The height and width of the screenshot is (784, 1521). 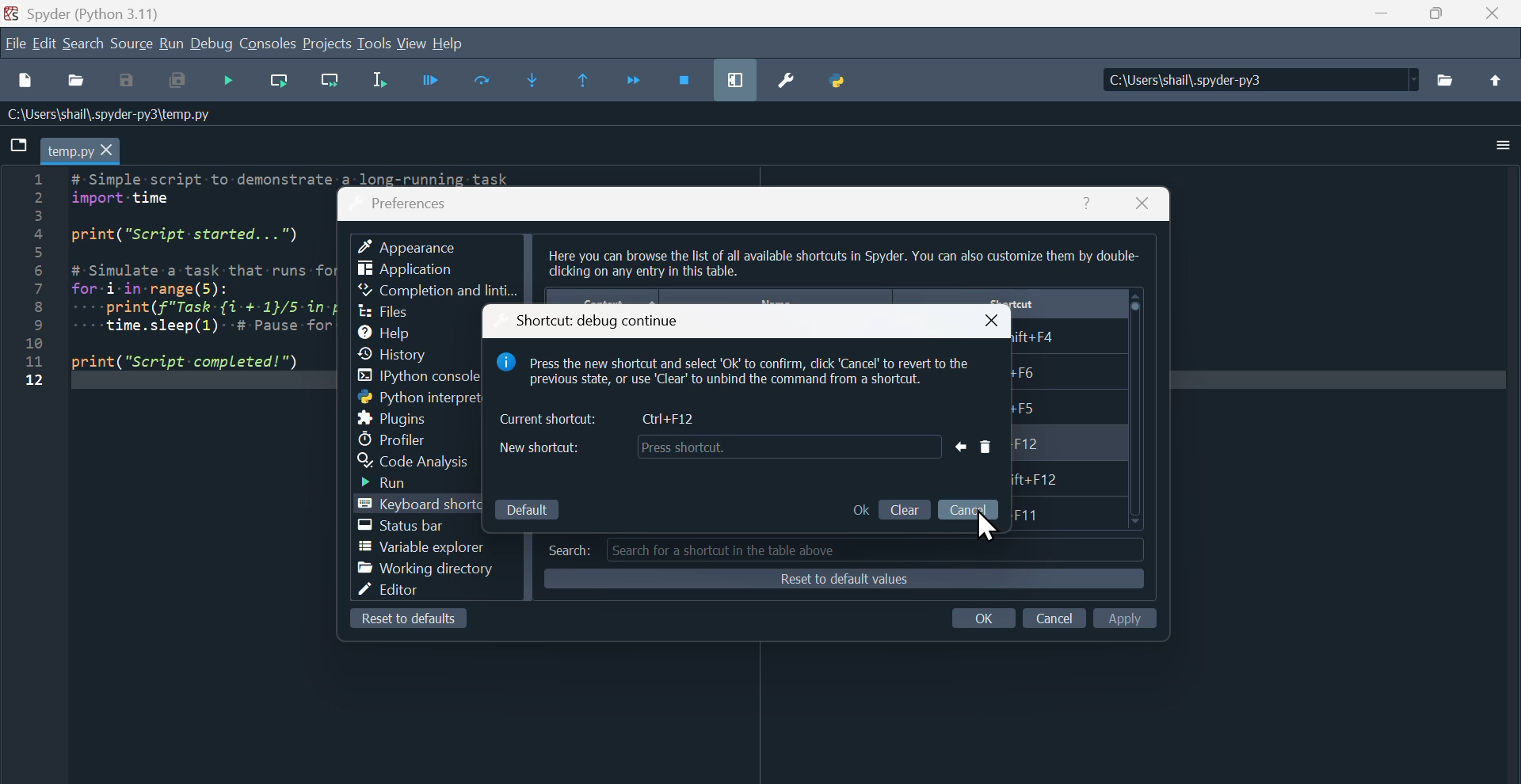 What do you see at coordinates (639, 76) in the screenshot?
I see `Continue execution until next function` at bounding box center [639, 76].